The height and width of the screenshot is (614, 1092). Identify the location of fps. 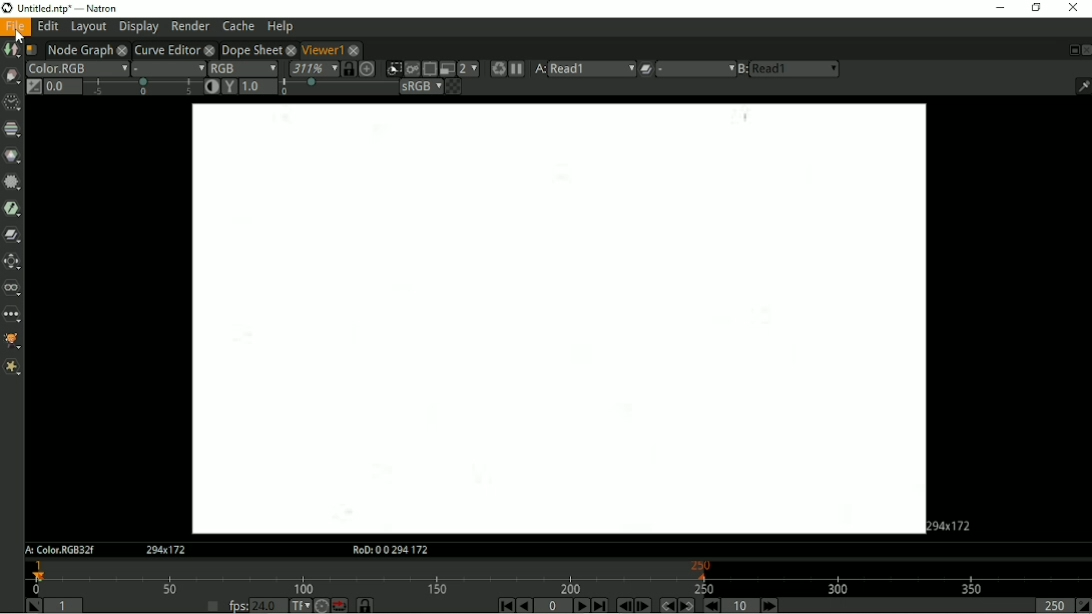
(238, 606).